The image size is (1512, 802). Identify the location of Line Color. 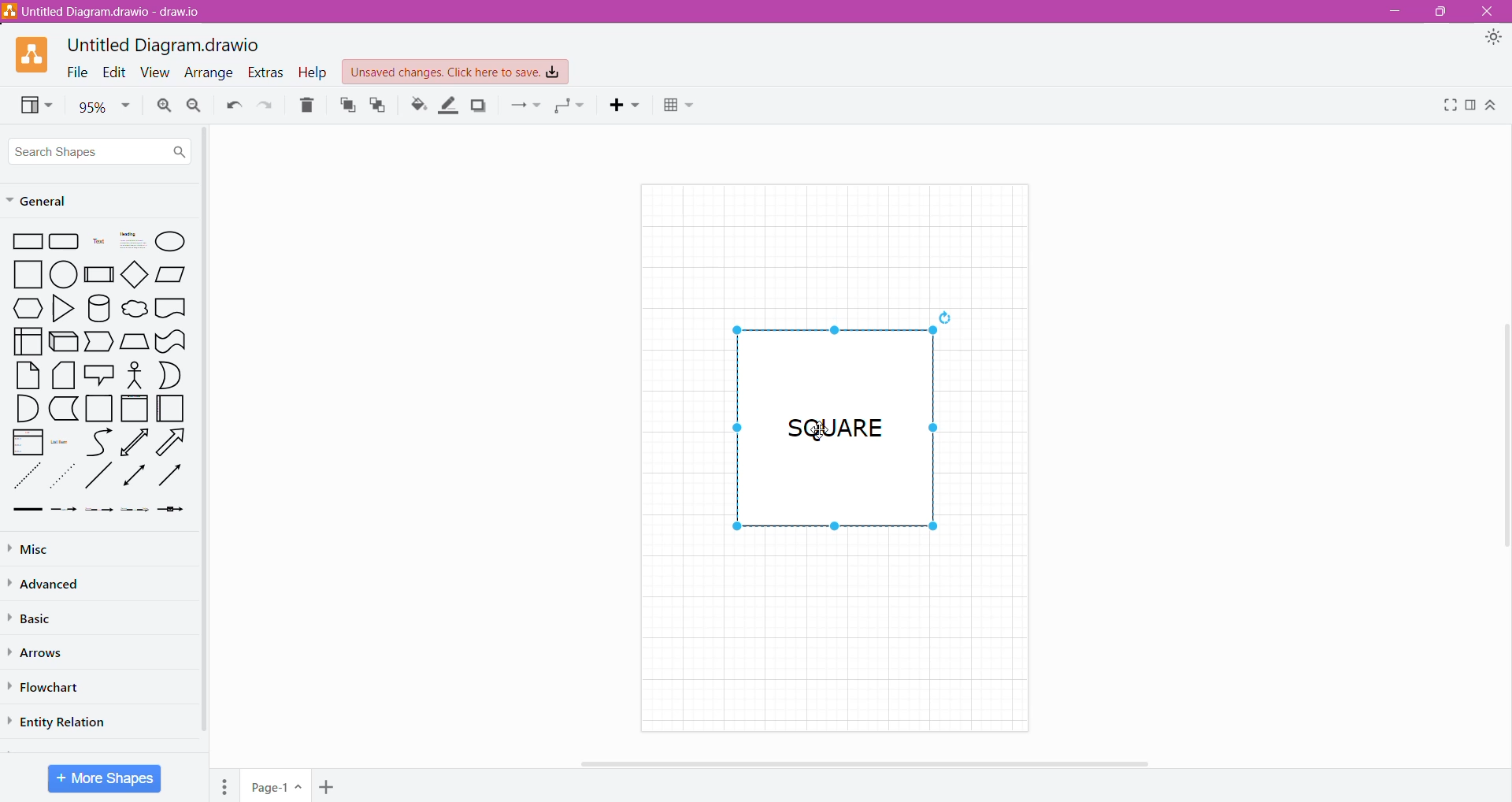
(450, 106).